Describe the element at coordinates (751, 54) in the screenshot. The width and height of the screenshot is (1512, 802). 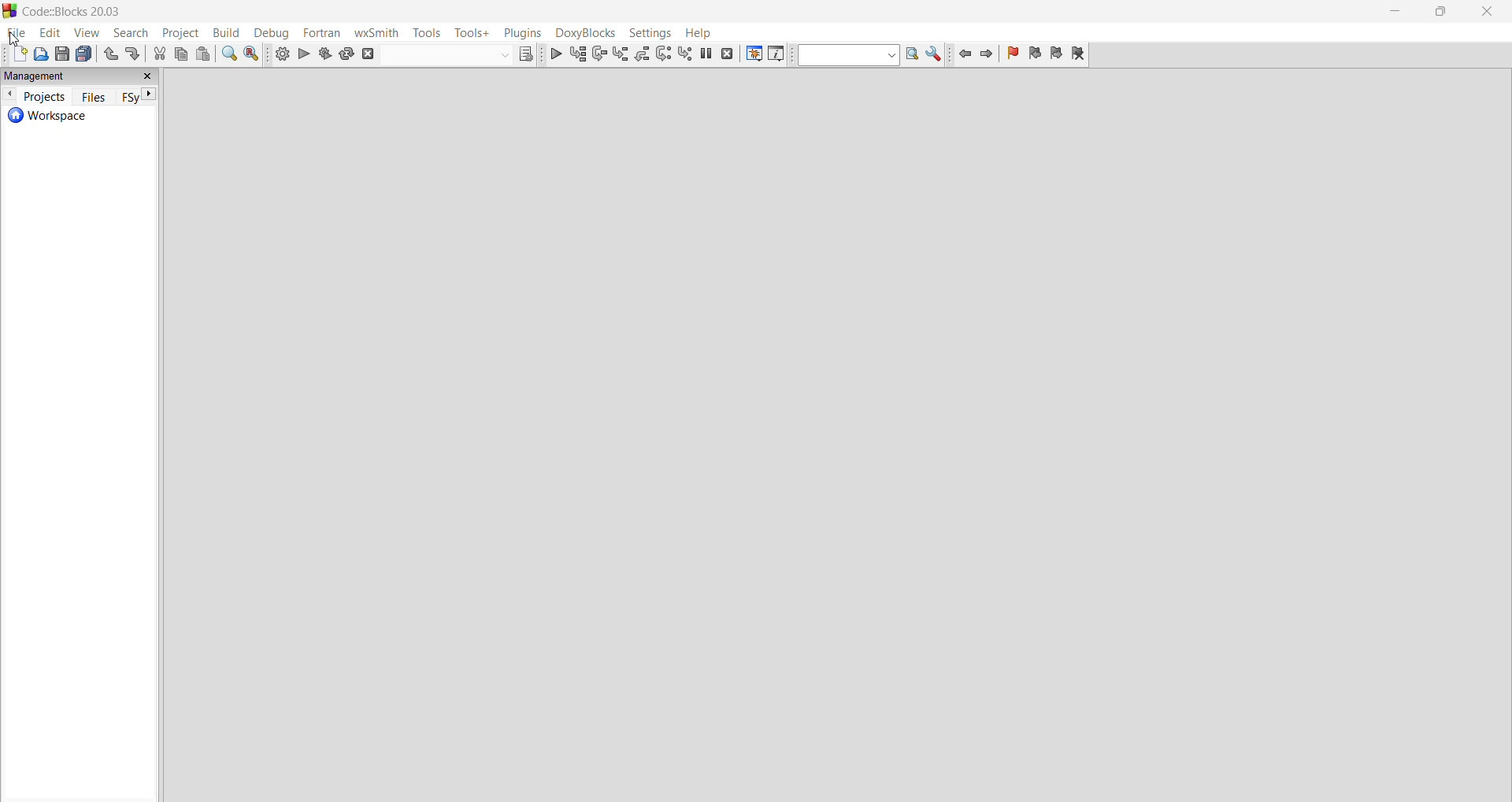
I see `debugging windows` at that location.